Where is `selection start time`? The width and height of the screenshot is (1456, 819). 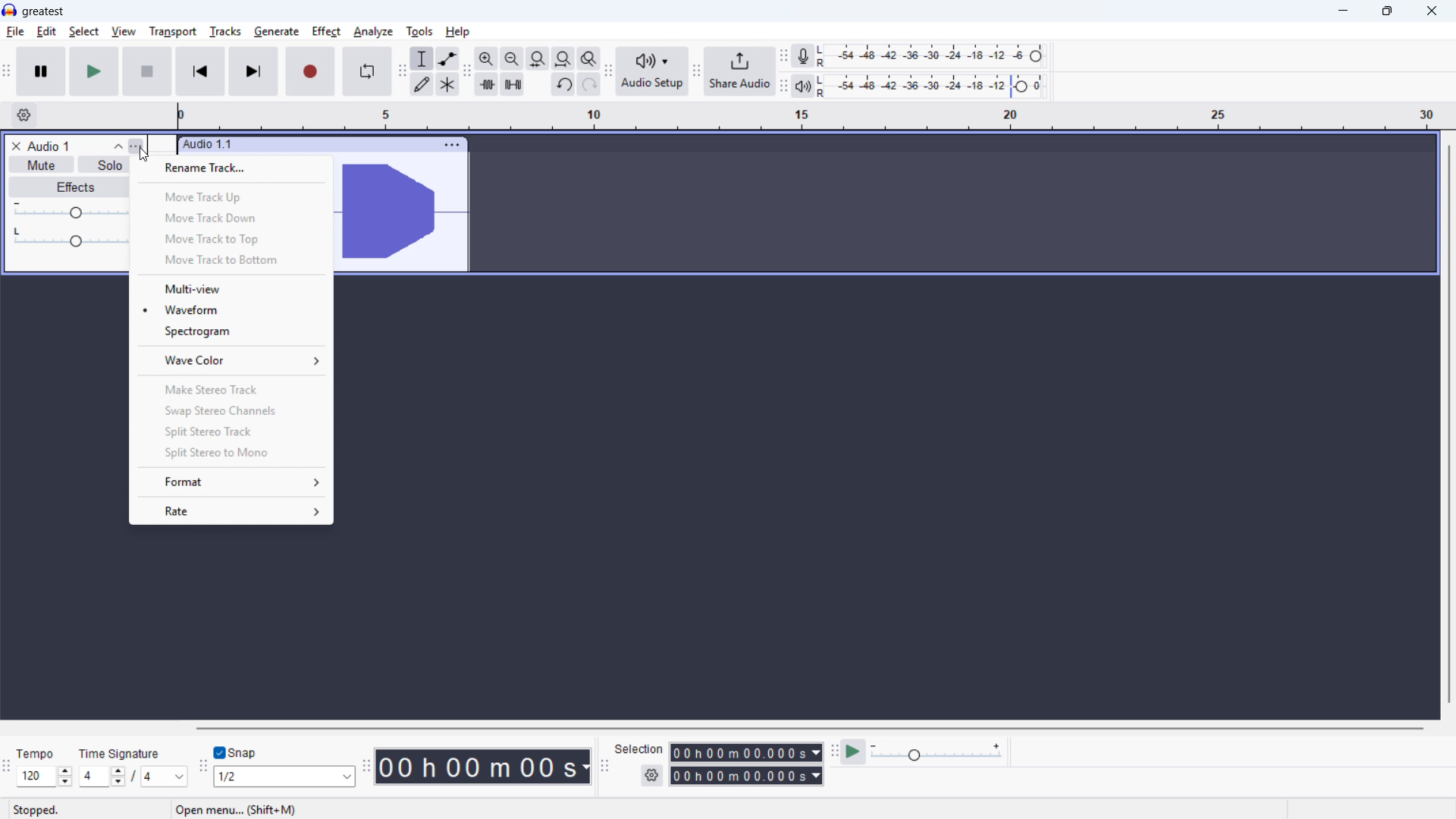
selection start time is located at coordinates (747, 753).